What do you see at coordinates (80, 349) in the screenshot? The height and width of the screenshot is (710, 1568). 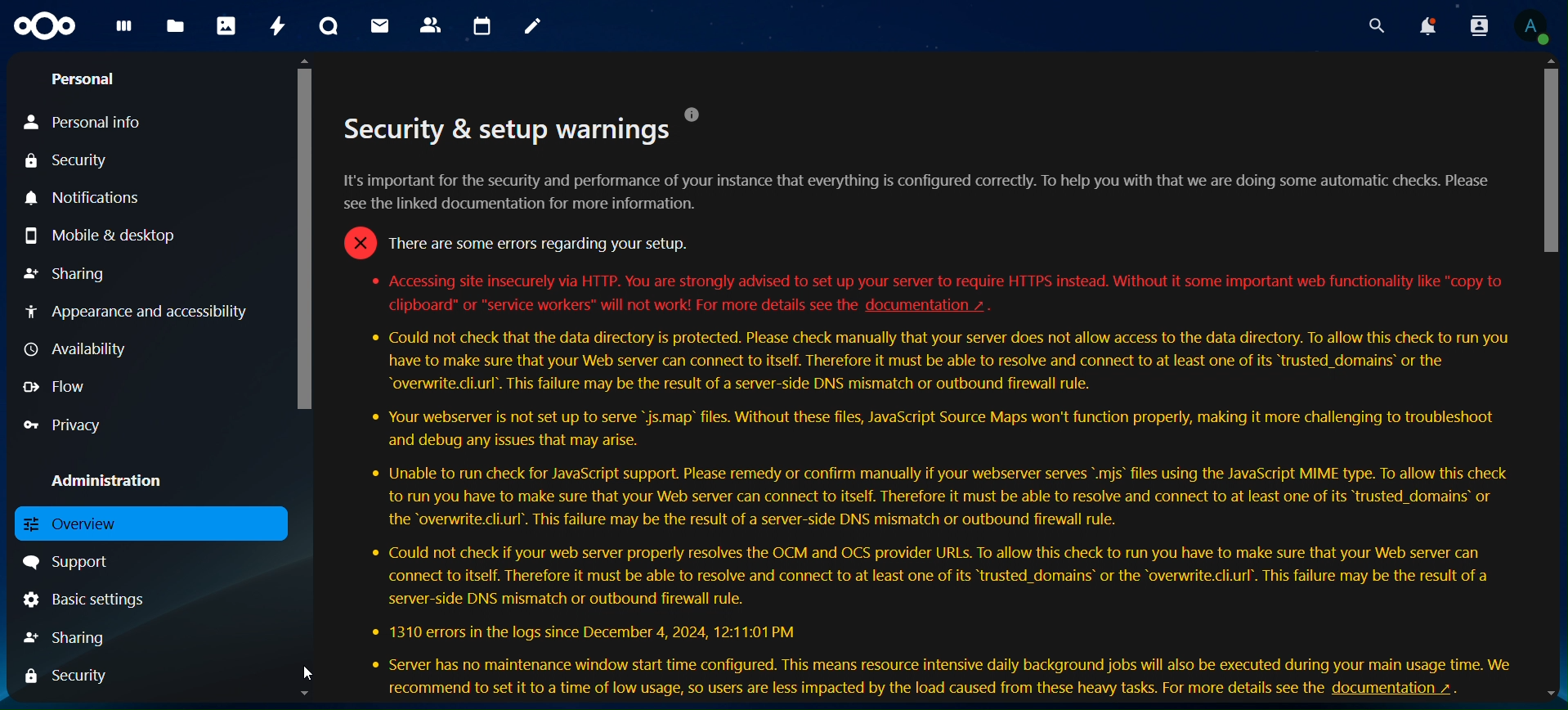 I see `availabilty` at bounding box center [80, 349].